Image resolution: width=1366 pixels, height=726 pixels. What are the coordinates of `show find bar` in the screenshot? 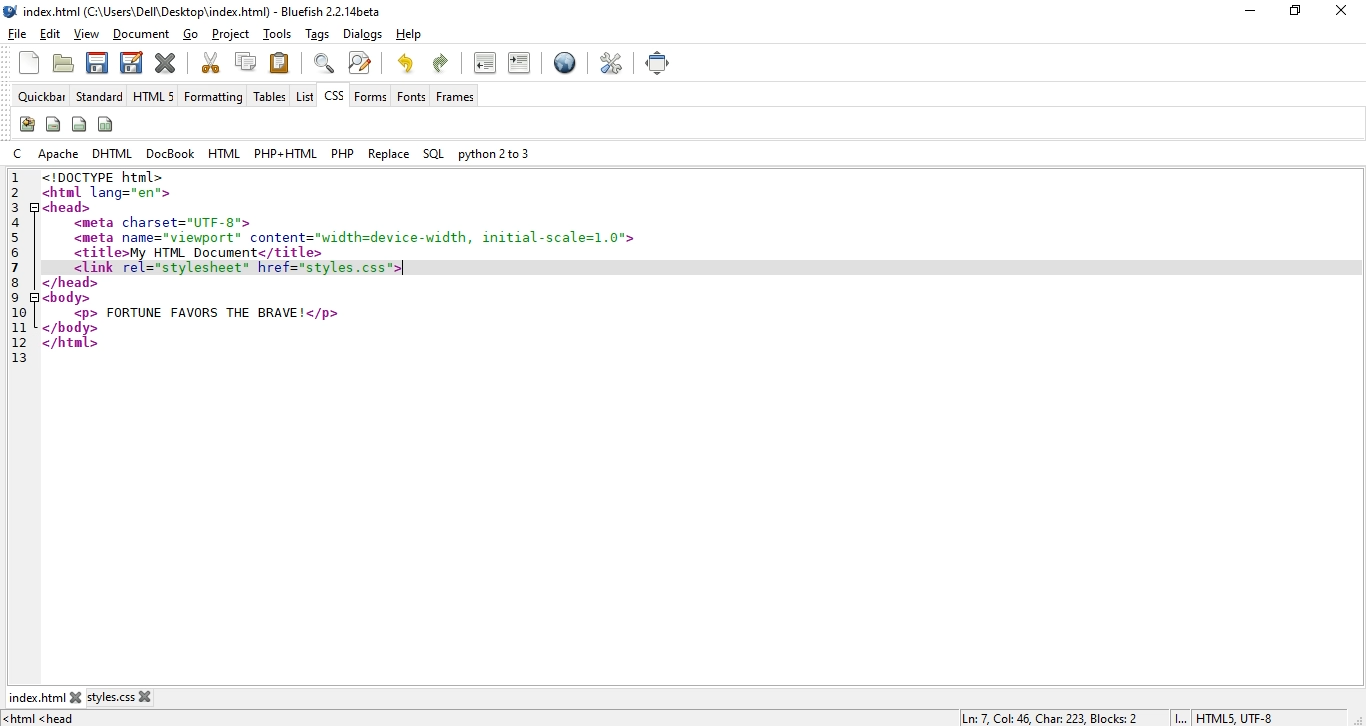 It's located at (324, 62).